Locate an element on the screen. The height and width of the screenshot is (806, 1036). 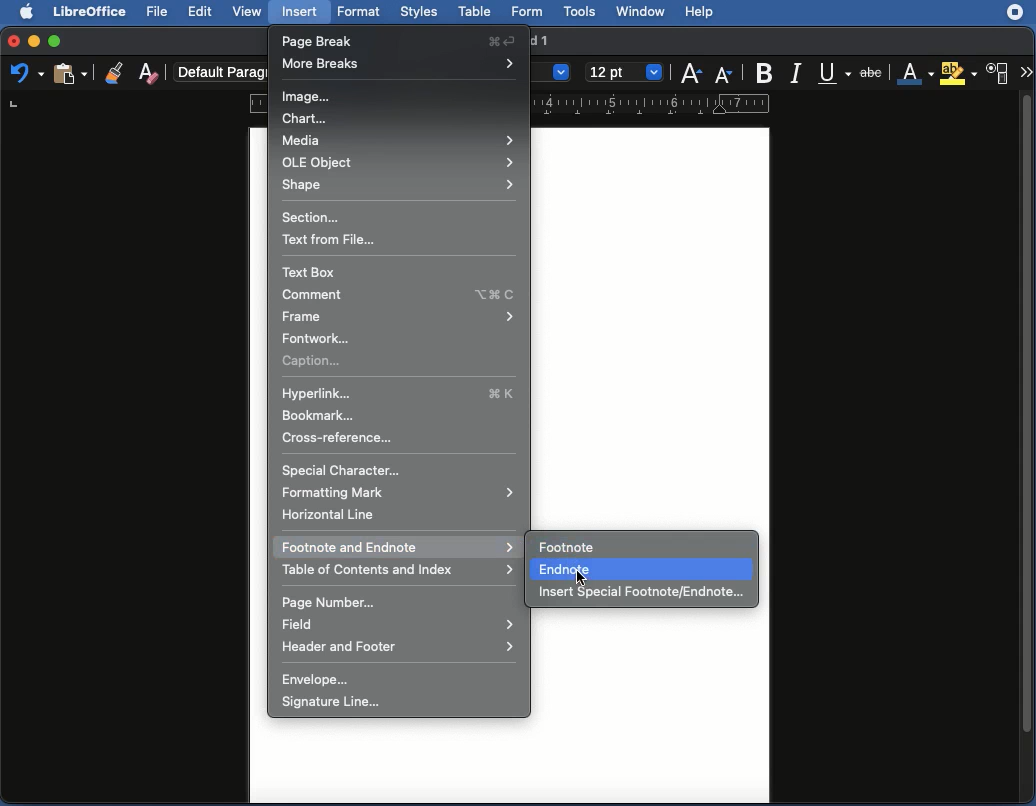
File is located at coordinates (159, 12).